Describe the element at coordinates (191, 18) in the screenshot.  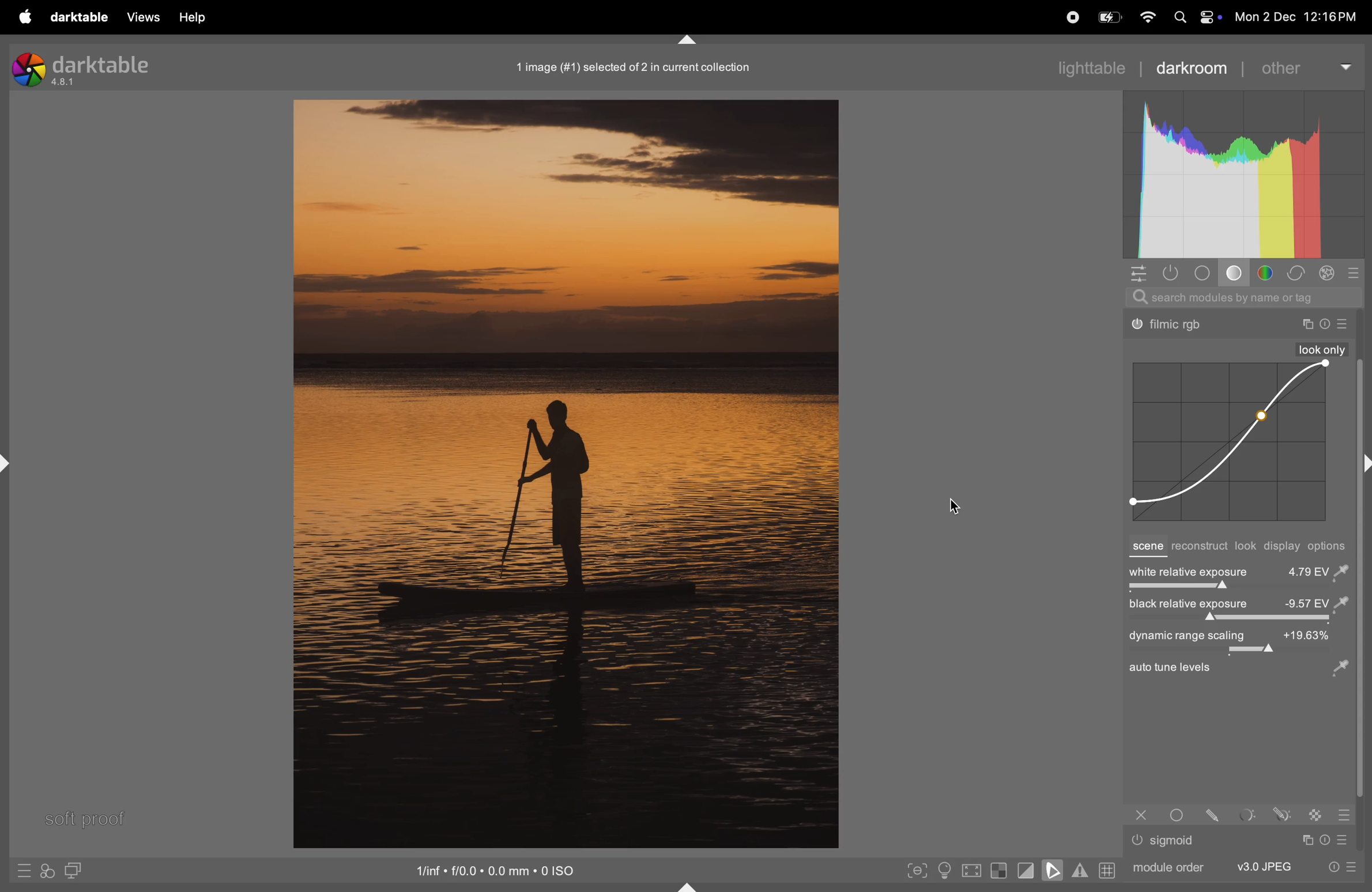
I see `help` at that location.